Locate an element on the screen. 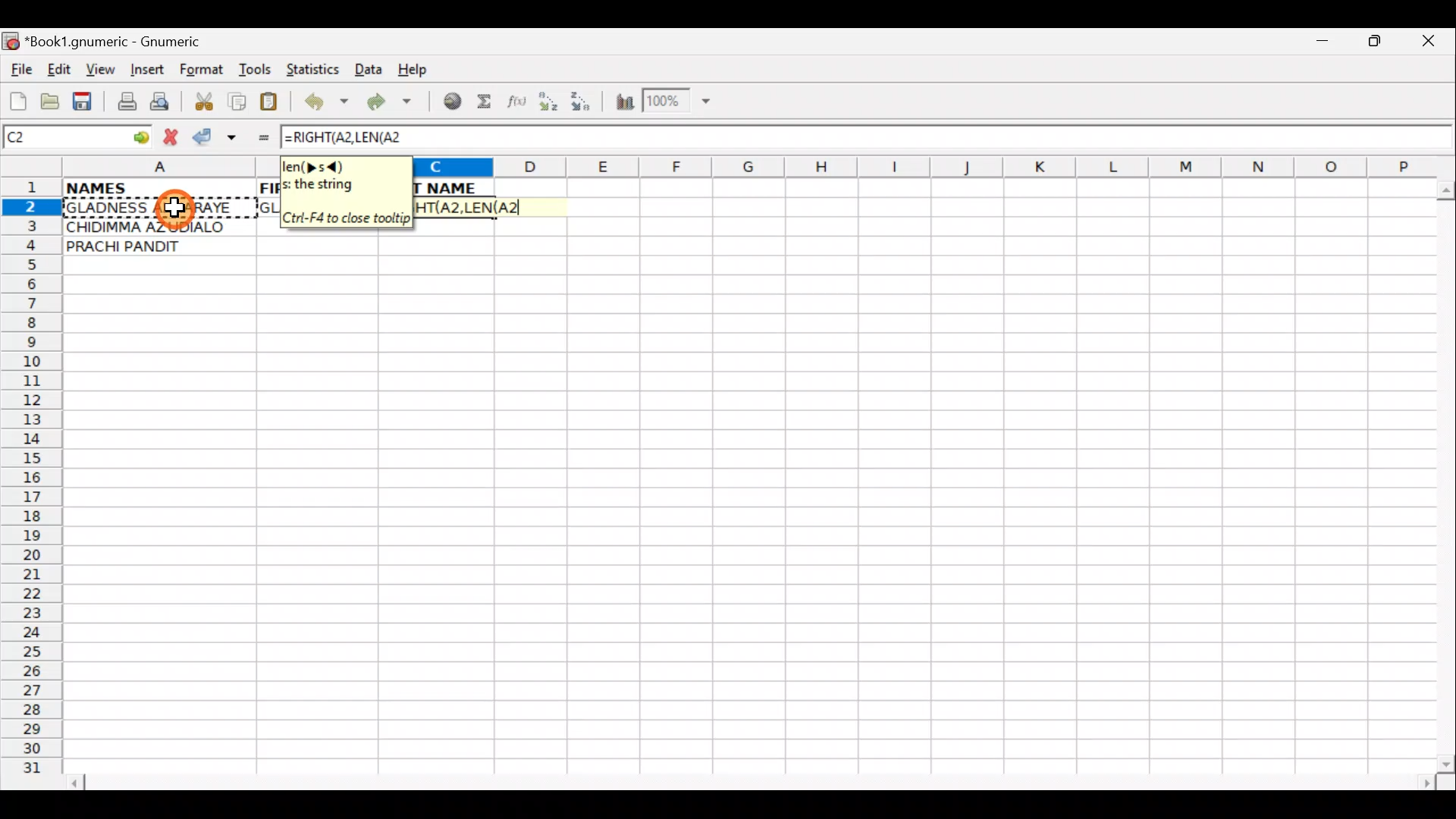  Gnumeric logo is located at coordinates (11, 42).